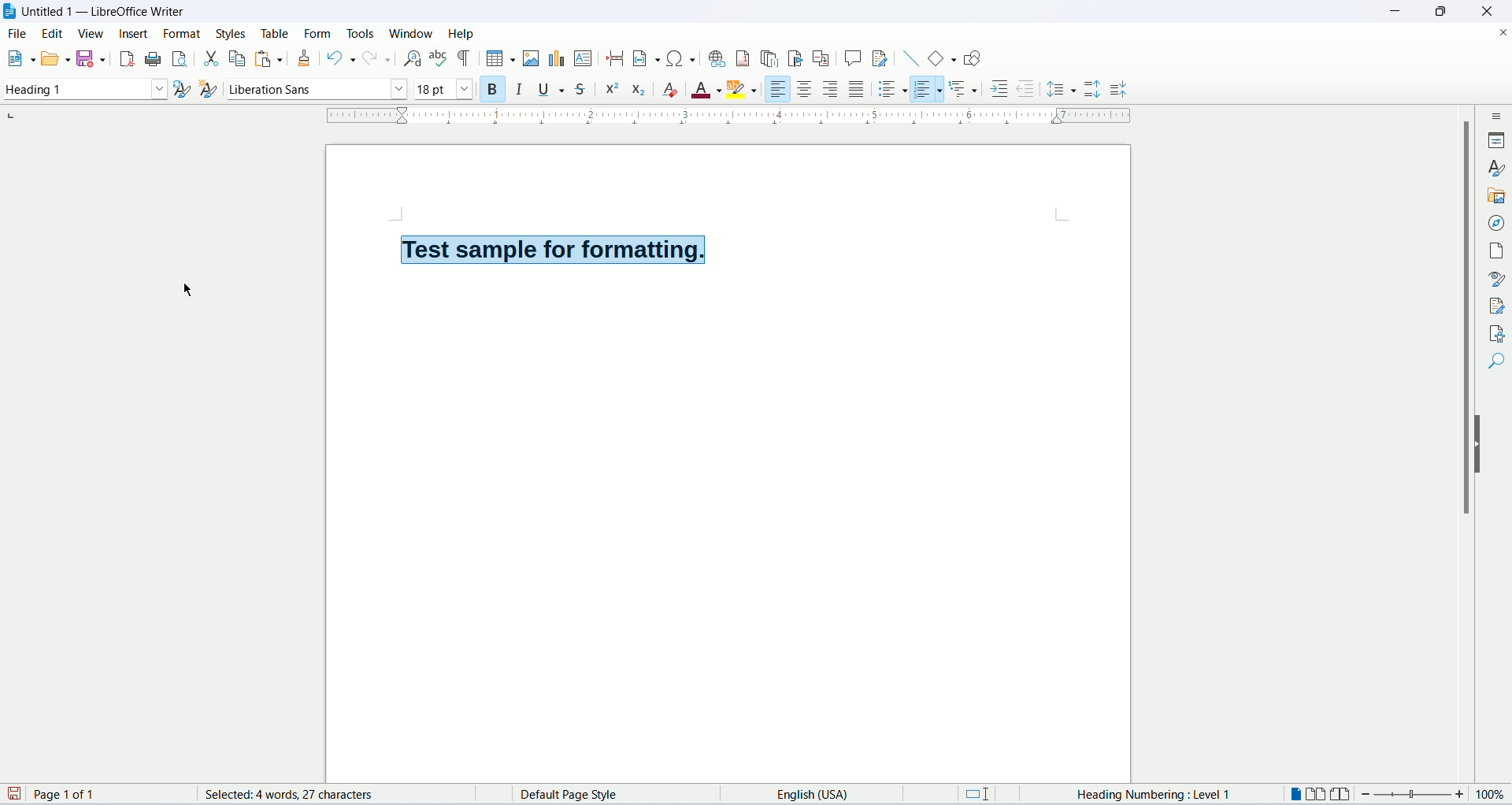 The width and height of the screenshot is (1512, 805). I want to click on decrease paragraph spacing, so click(1119, 91).